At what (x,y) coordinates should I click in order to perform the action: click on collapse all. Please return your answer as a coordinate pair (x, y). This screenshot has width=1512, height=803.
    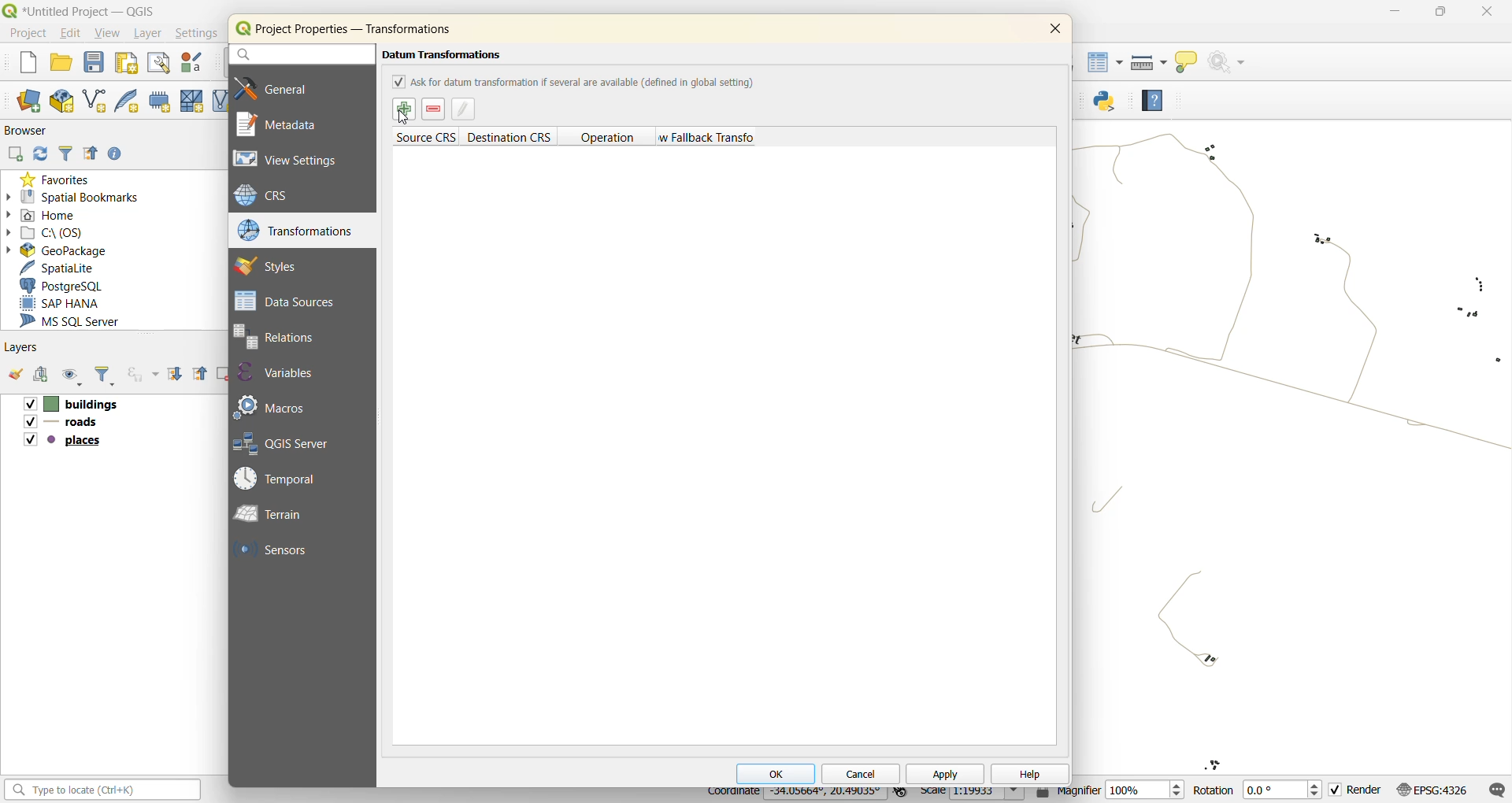
    Looking at the image, I should click on (91, 156).